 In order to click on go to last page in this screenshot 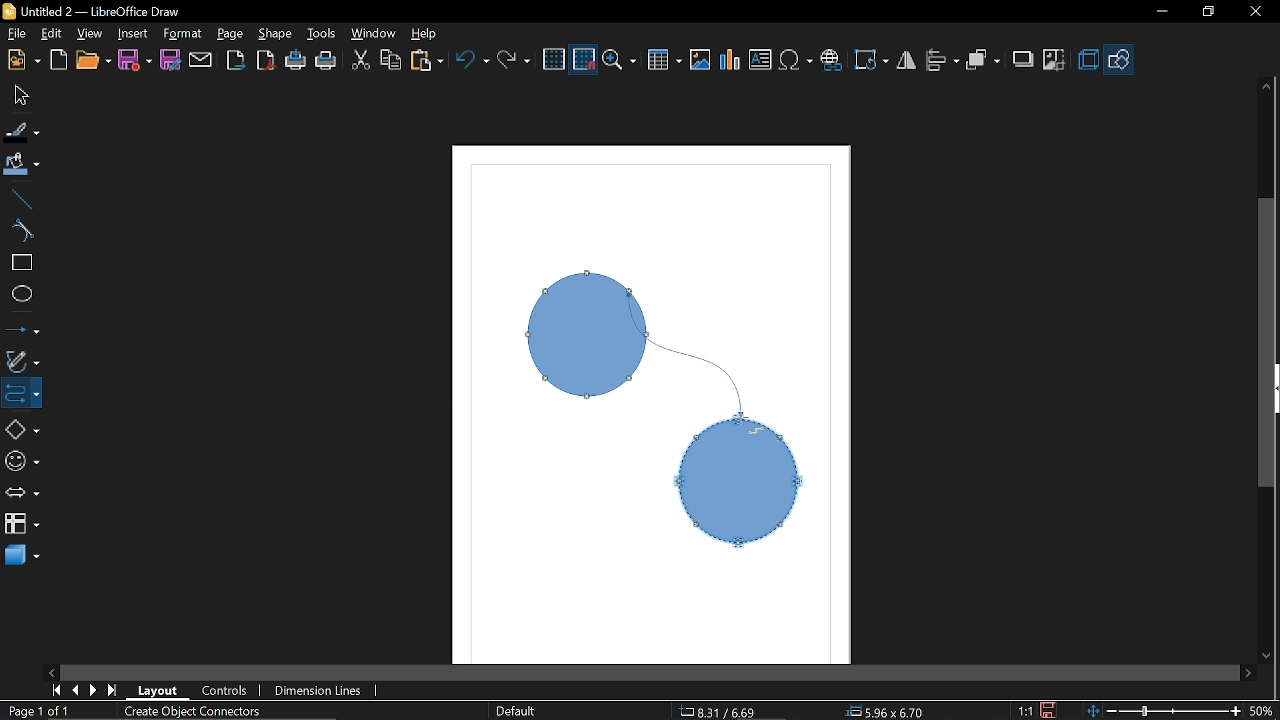, I will do `click(115, 690)`.